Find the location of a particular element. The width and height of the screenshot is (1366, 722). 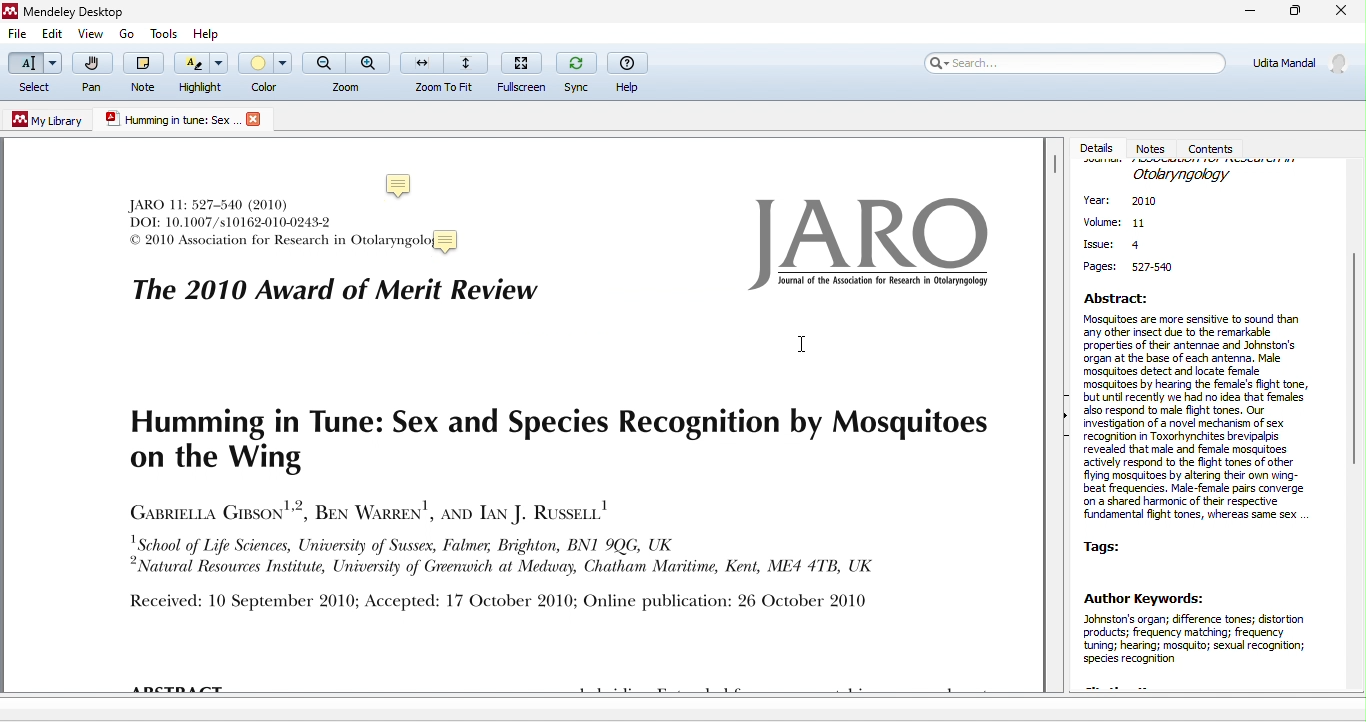

tools is located at coordinates (167, 34).